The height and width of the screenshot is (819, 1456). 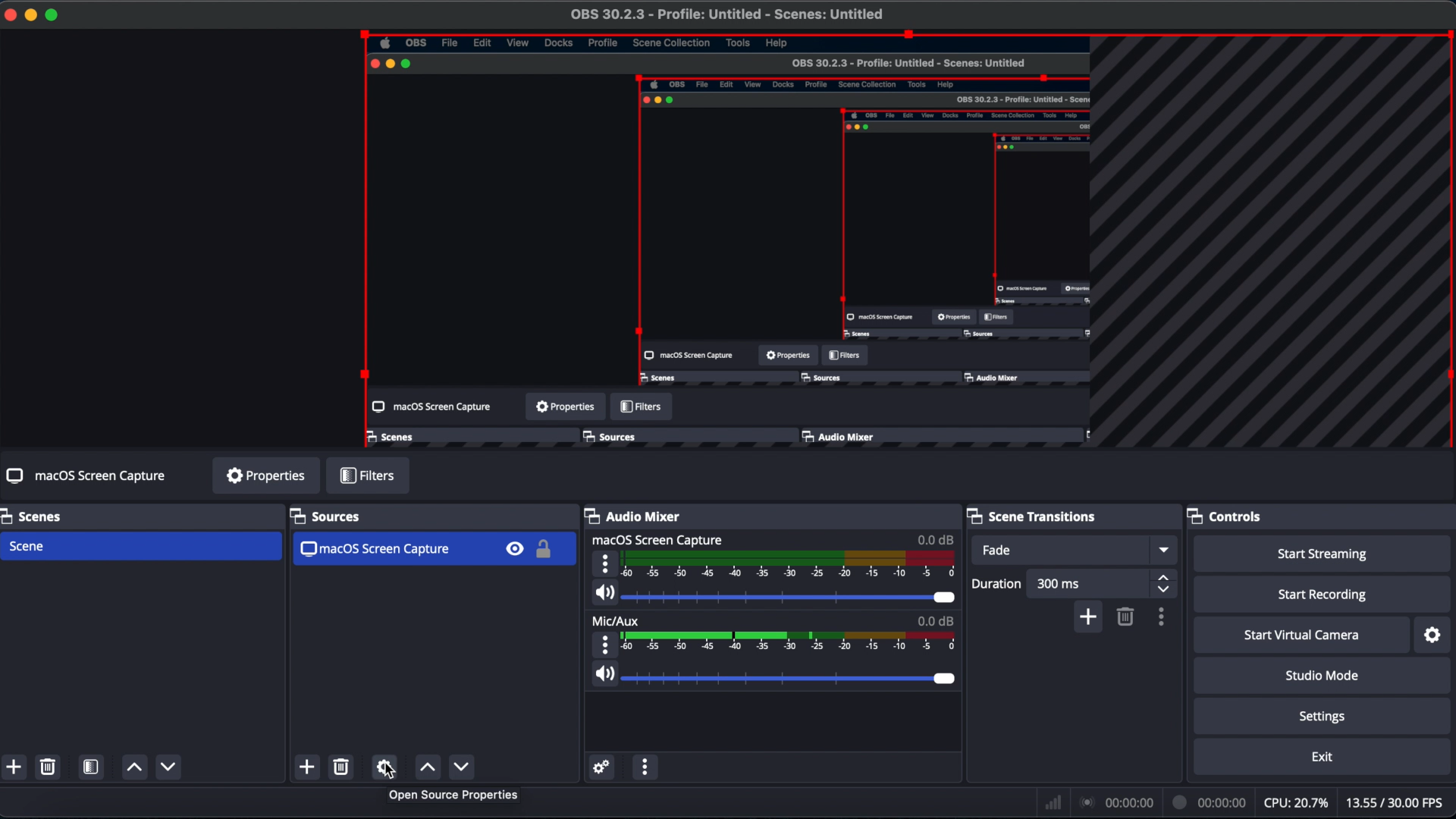 I want to click on add configurable transition, so click(x=1087, y=617).